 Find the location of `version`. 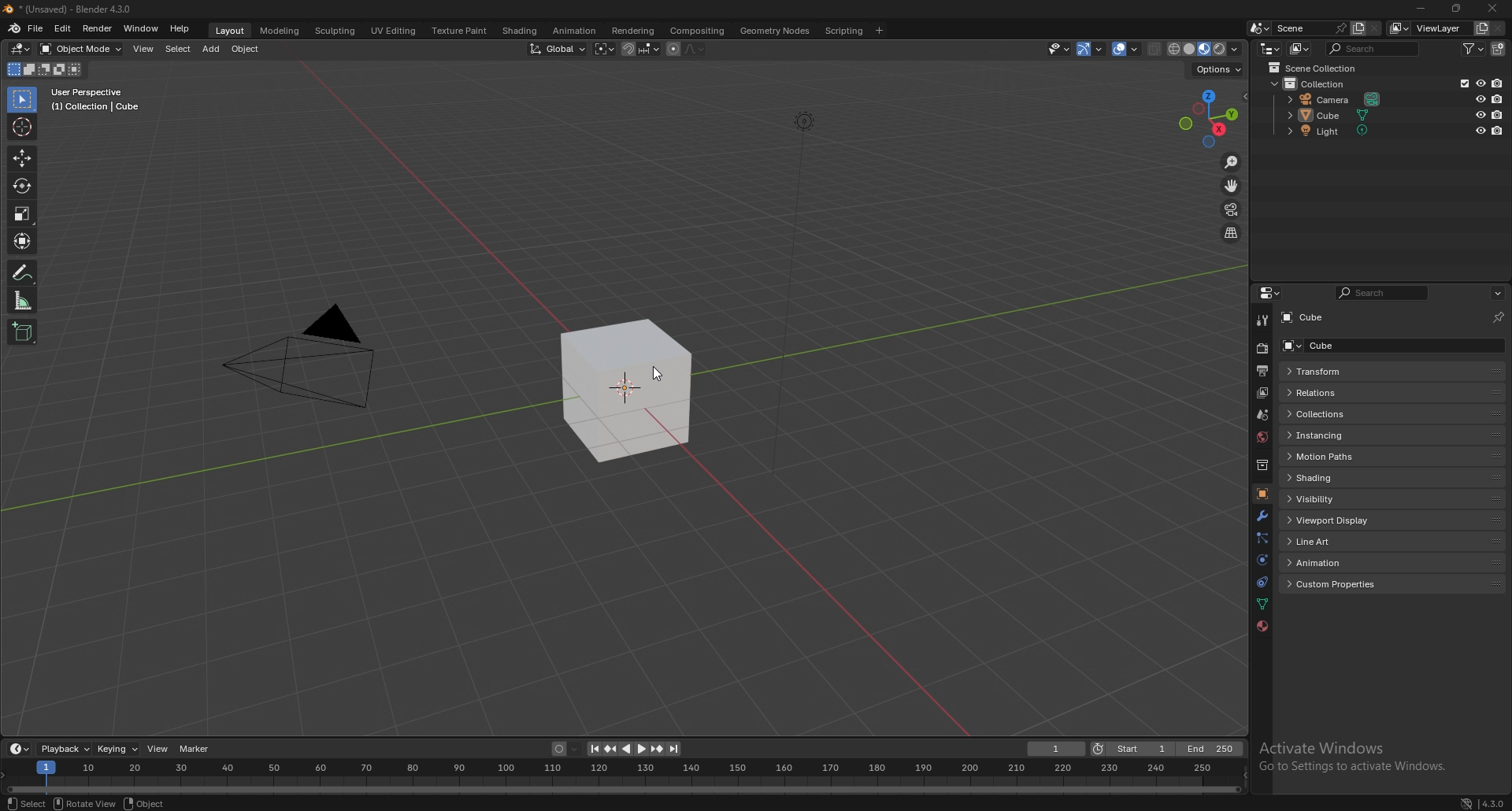

version is located at coordinates (1493, 803).